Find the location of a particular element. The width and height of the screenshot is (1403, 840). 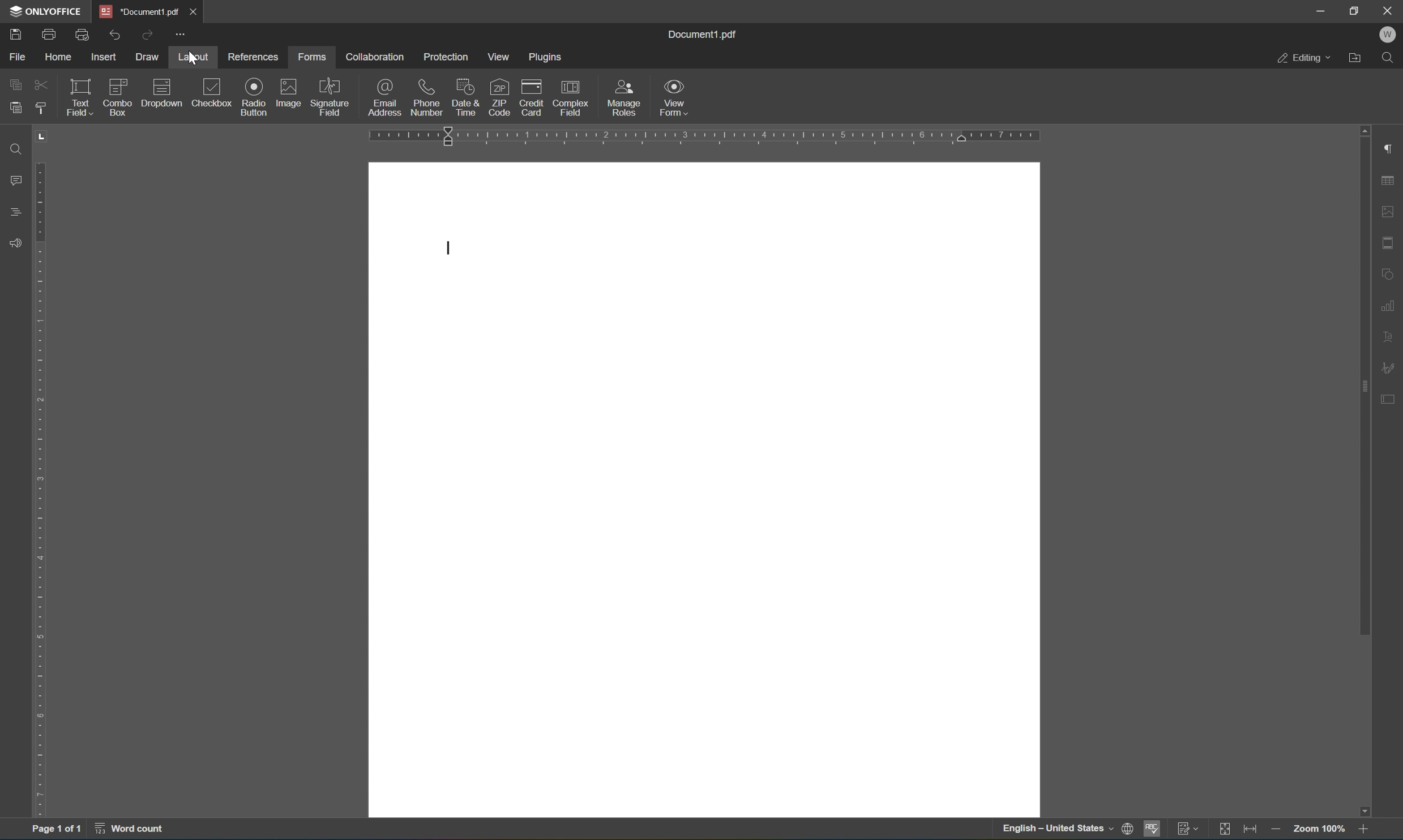

comments is located at coordinates (13, 181).